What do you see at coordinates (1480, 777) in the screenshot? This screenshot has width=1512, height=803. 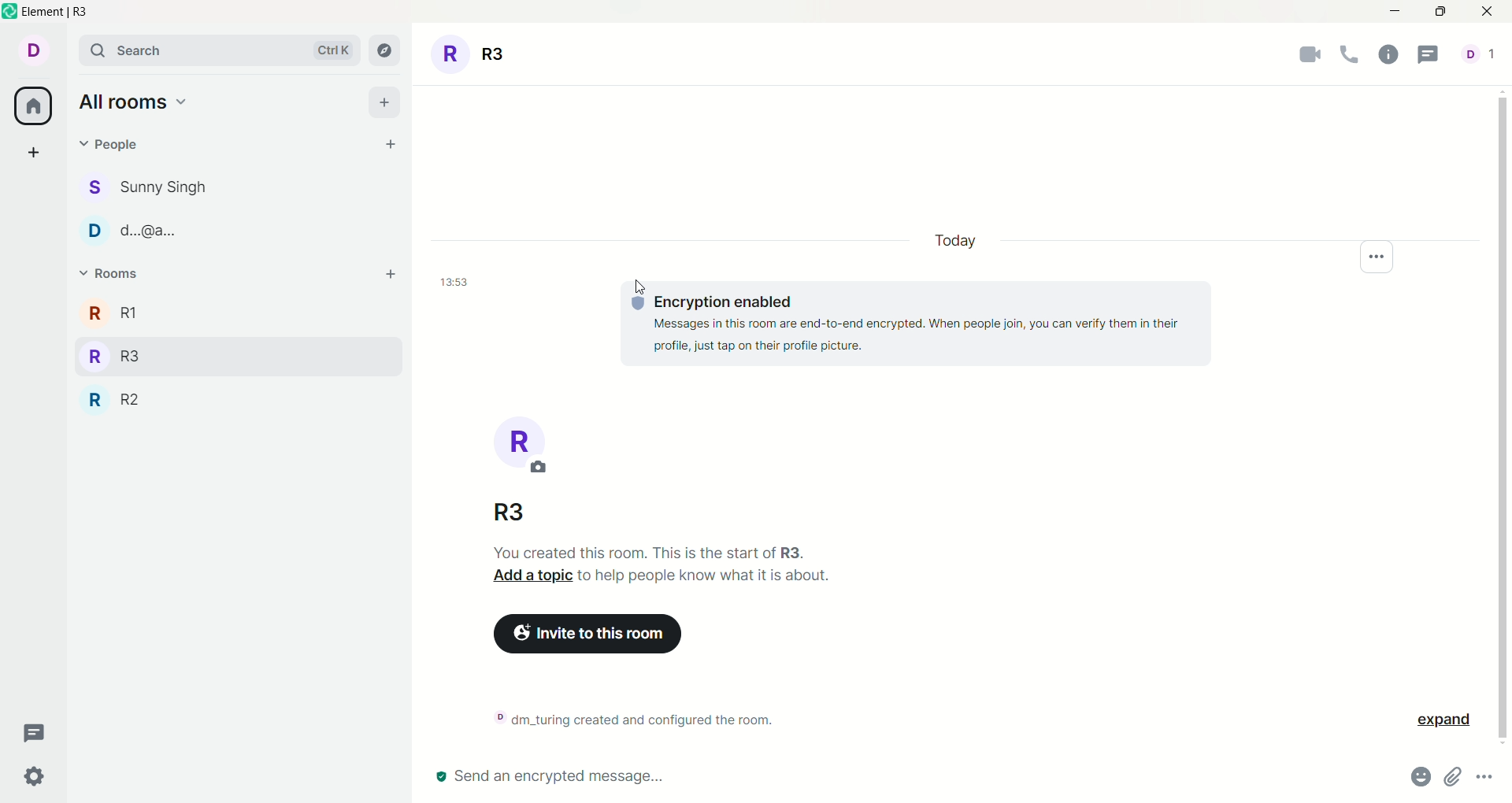 I see `options` at bounding box center [1480, 777].